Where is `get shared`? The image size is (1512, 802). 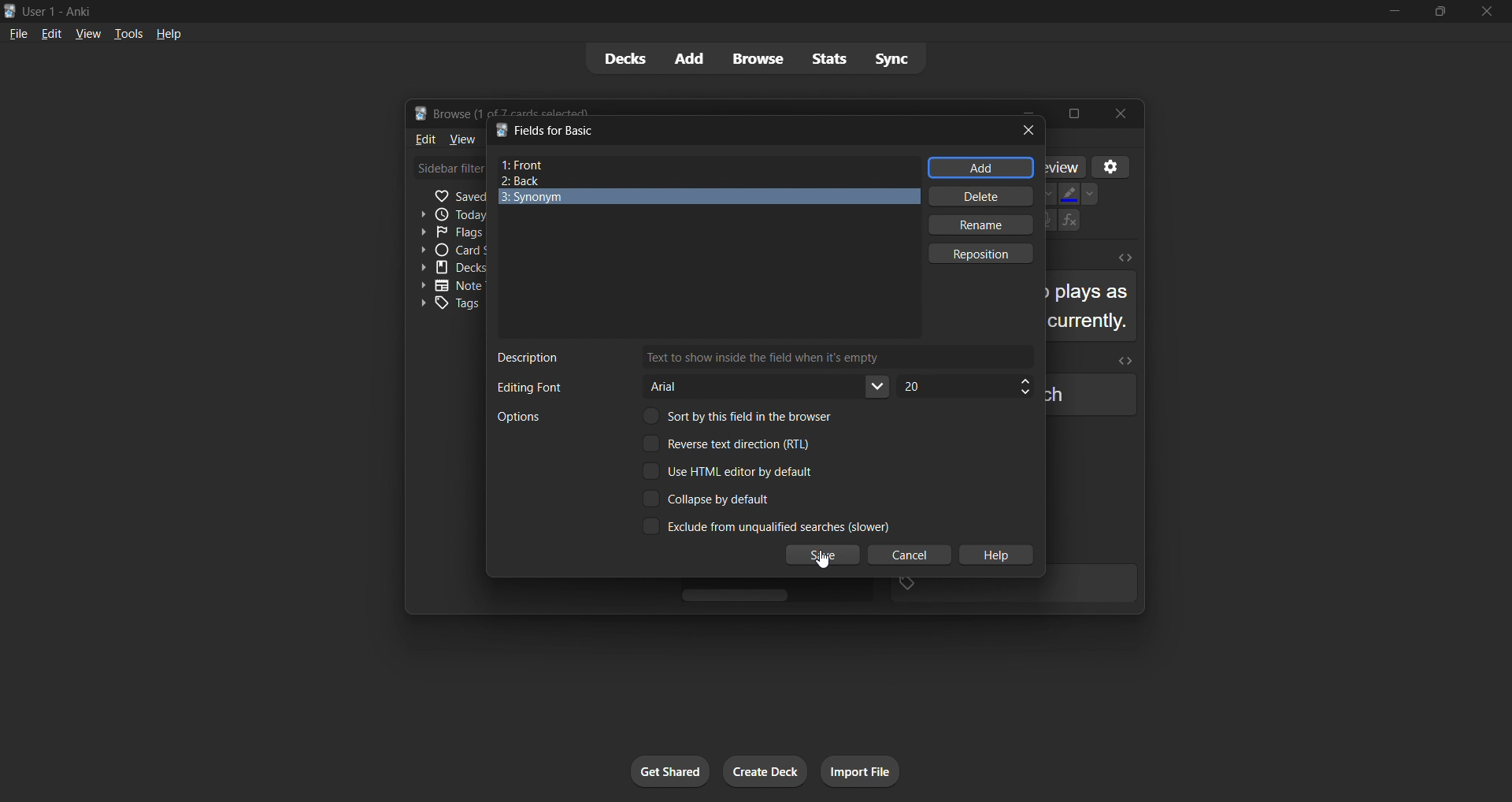 get shared is located at coordinates (666, 771).